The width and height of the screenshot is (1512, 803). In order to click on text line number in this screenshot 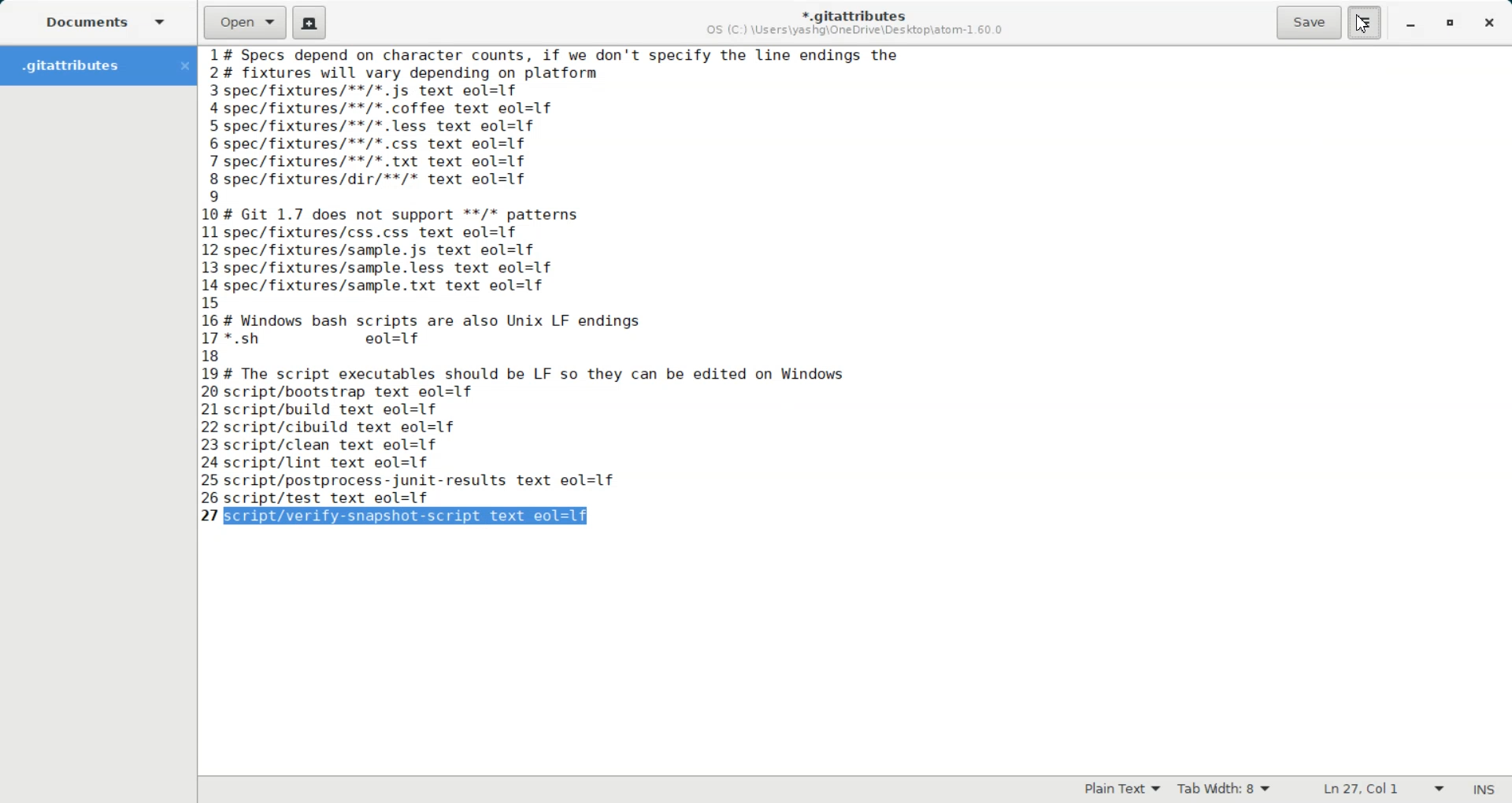, I will do `click(213, 275)`.